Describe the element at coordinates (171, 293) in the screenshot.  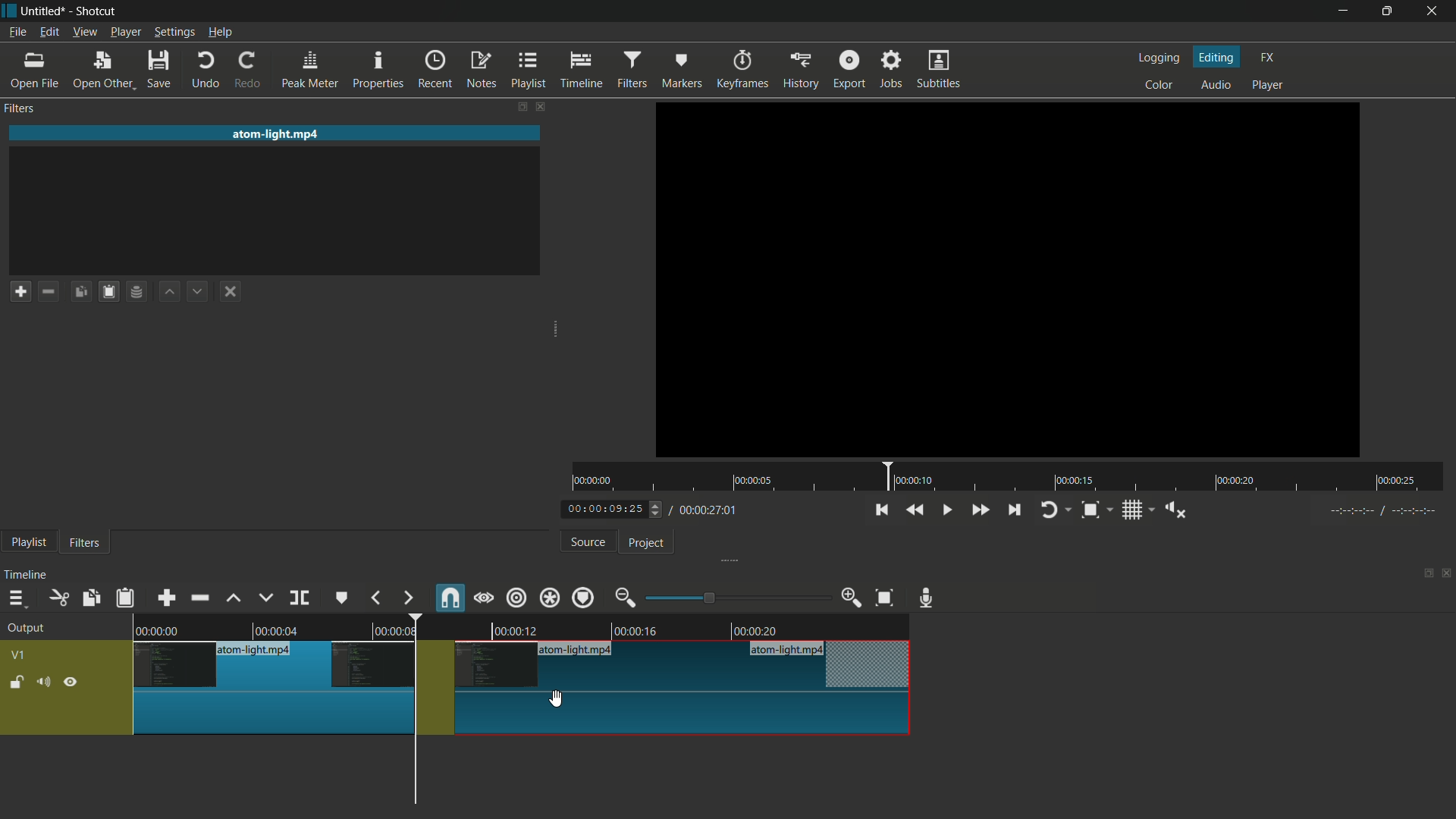
I see `move filter up` at that location.